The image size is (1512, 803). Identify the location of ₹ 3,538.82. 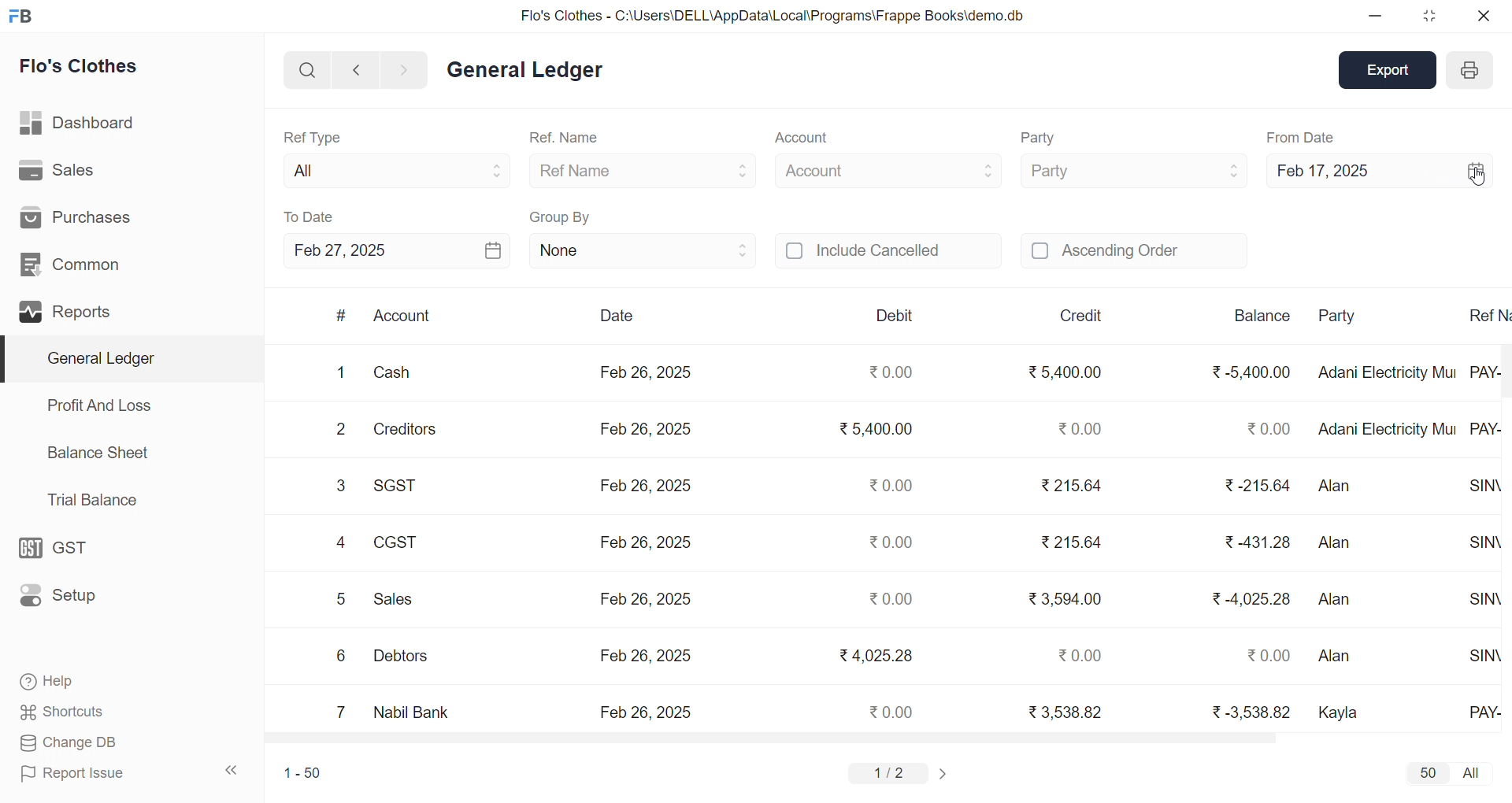
(1065, 711).